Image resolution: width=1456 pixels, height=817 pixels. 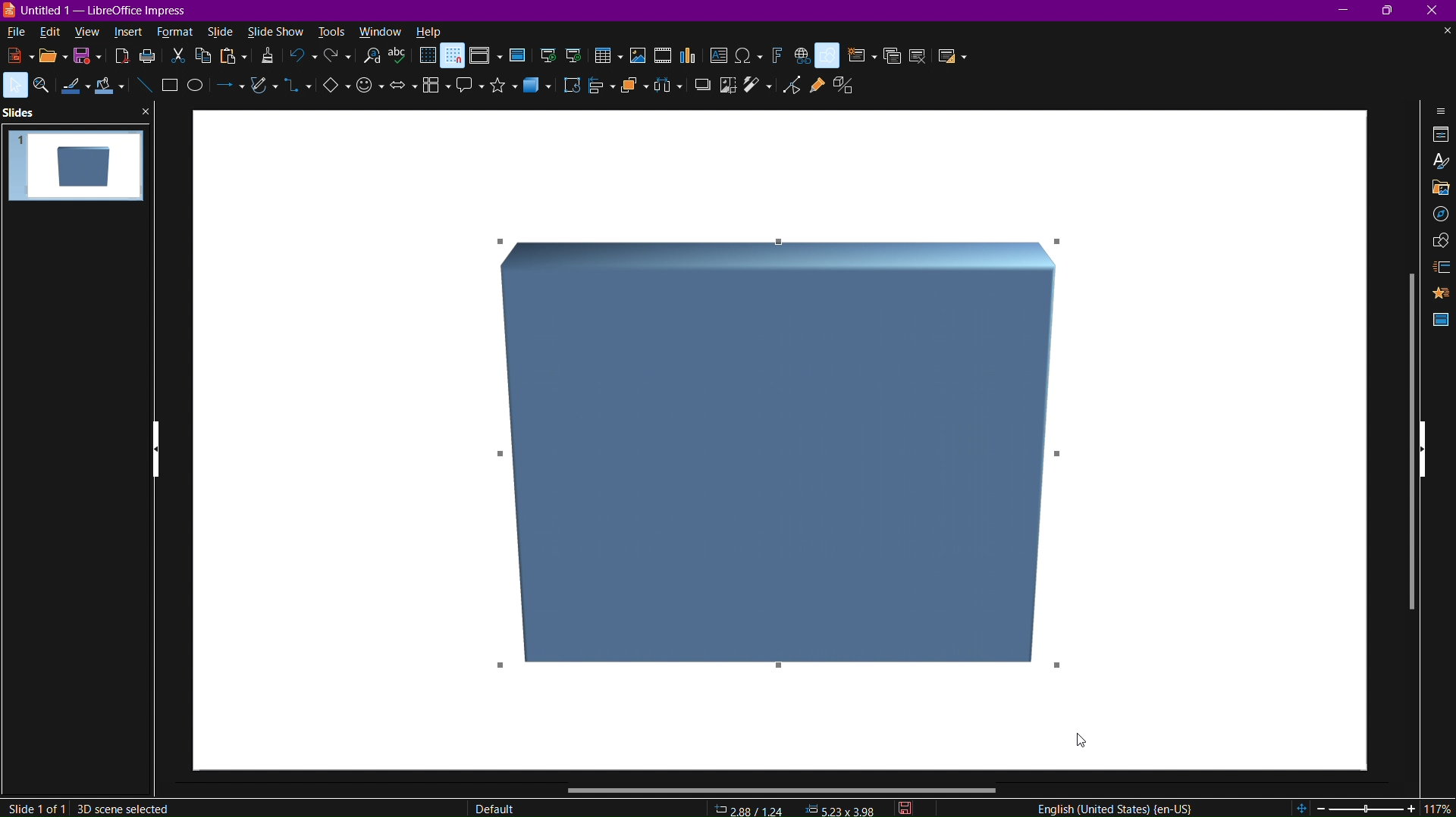 I want to click on Copy Formatting, so click(x=267, y=59).